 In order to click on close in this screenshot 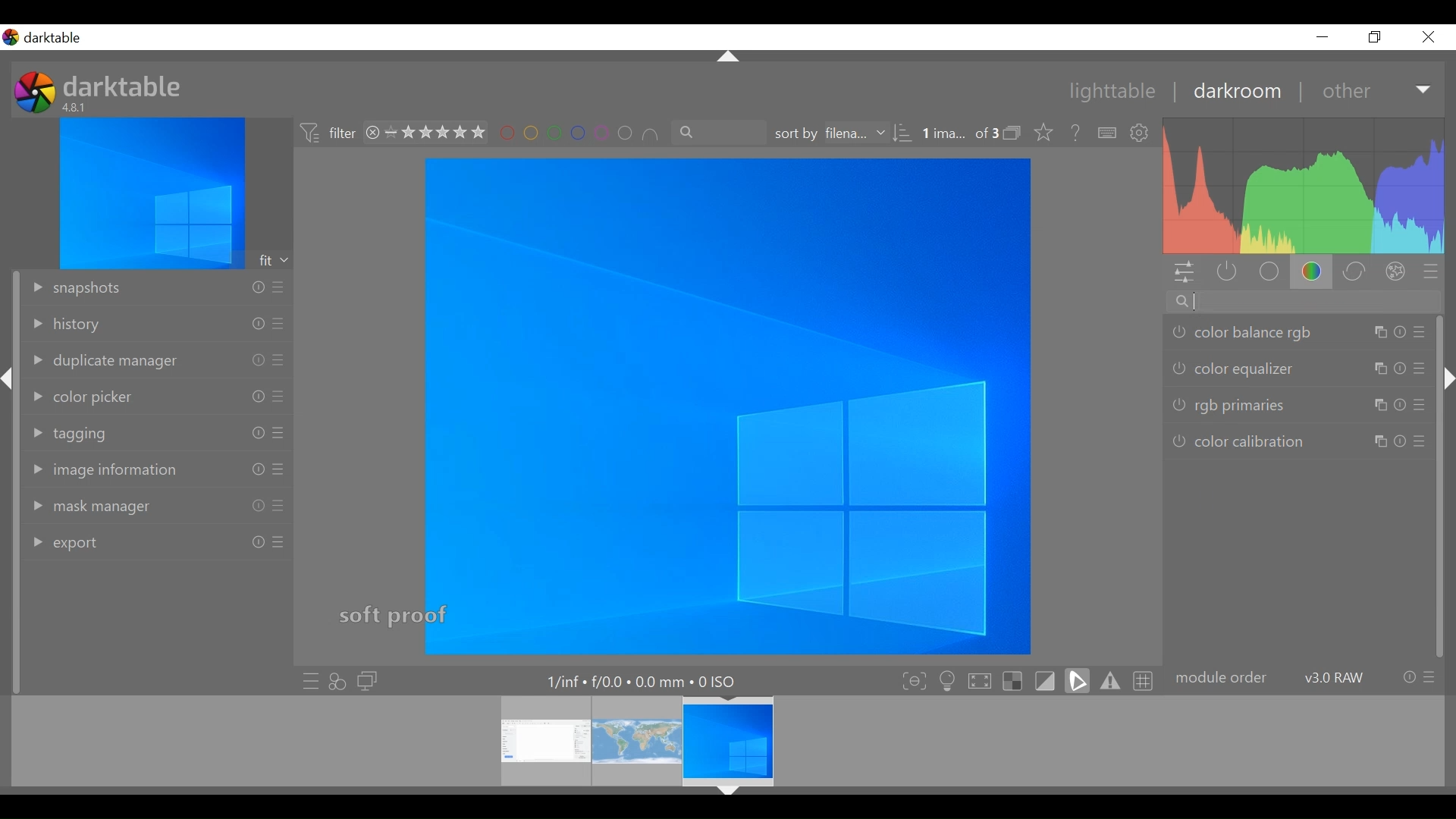, I will do `click(372, 133)`.